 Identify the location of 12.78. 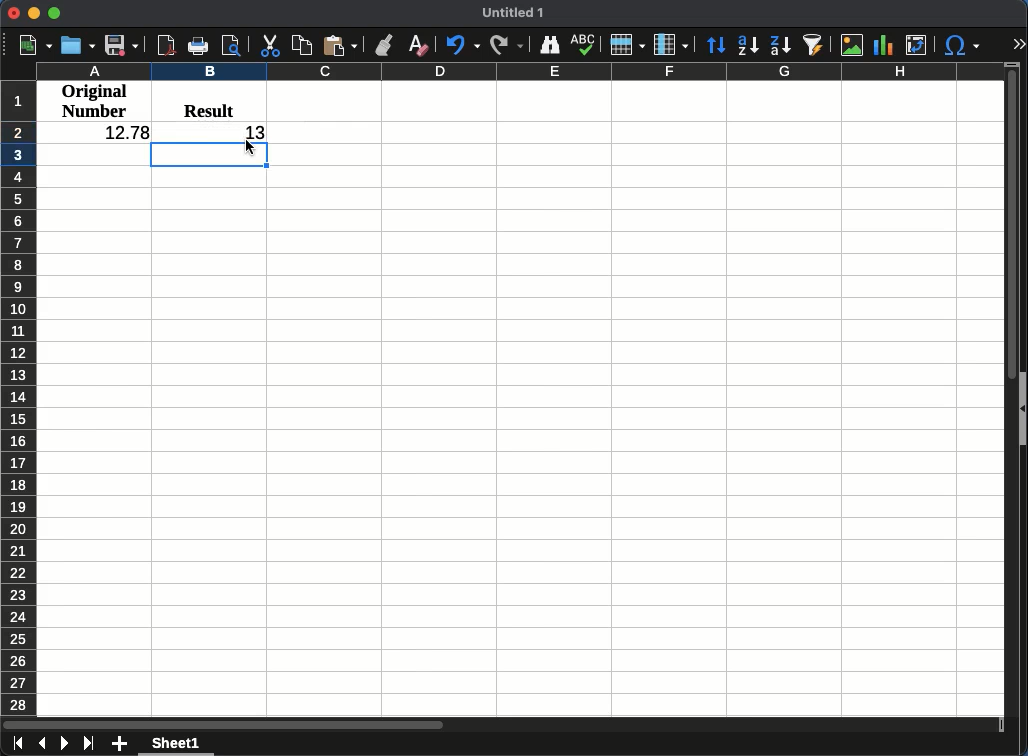
(125, 131).